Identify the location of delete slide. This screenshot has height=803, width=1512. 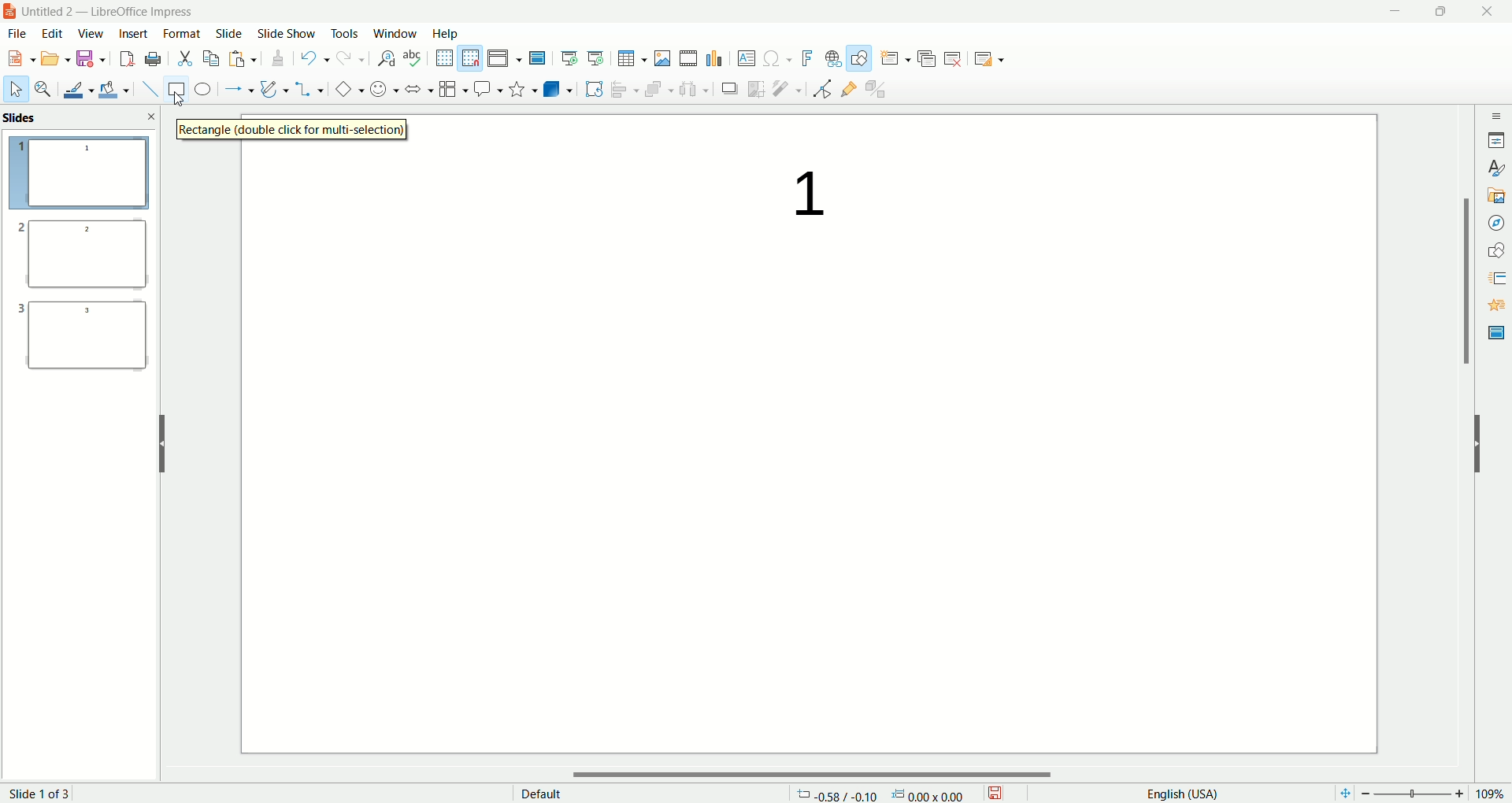
(956, 61).